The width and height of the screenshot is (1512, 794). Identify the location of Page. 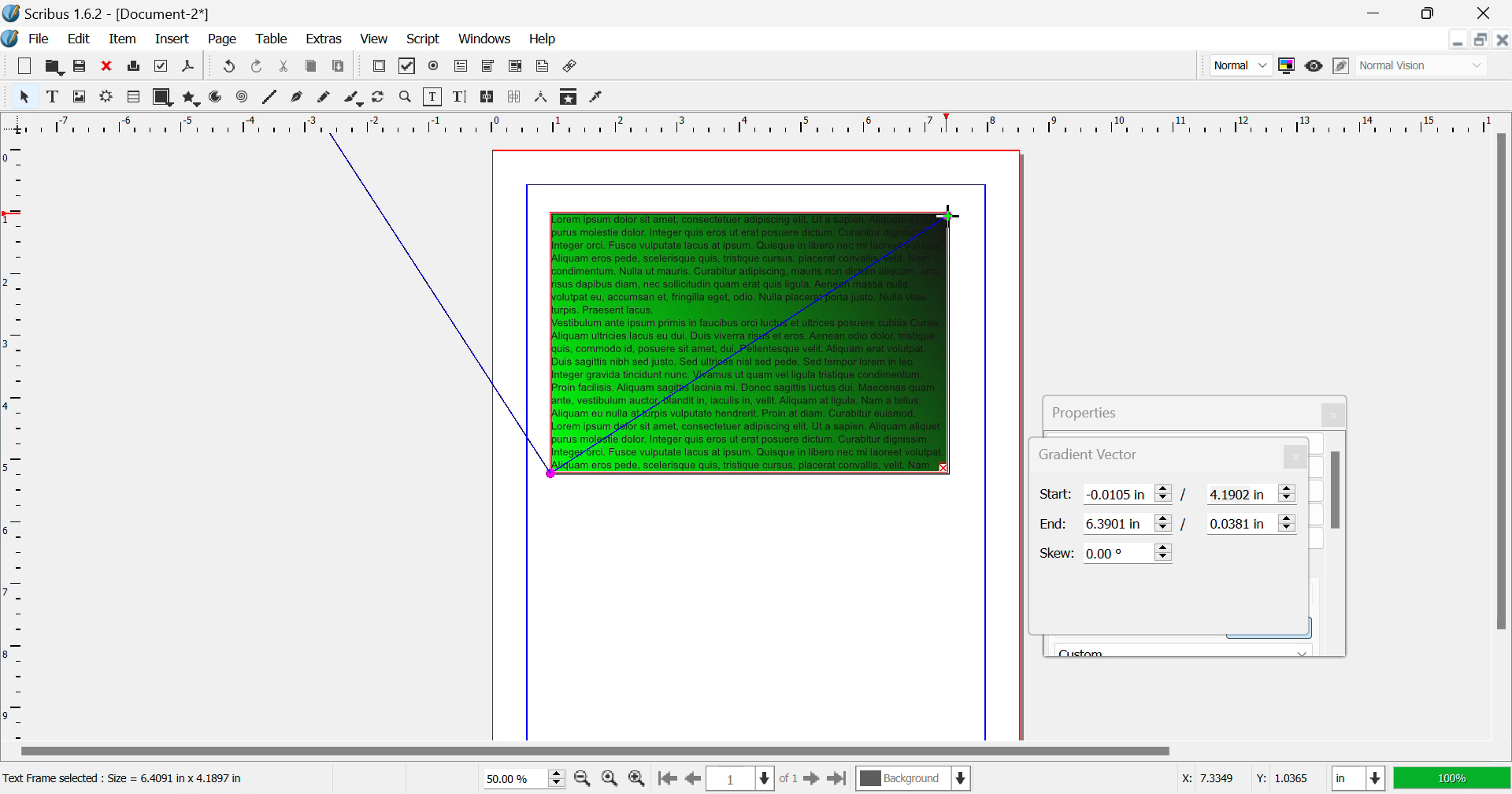
(221, 40).